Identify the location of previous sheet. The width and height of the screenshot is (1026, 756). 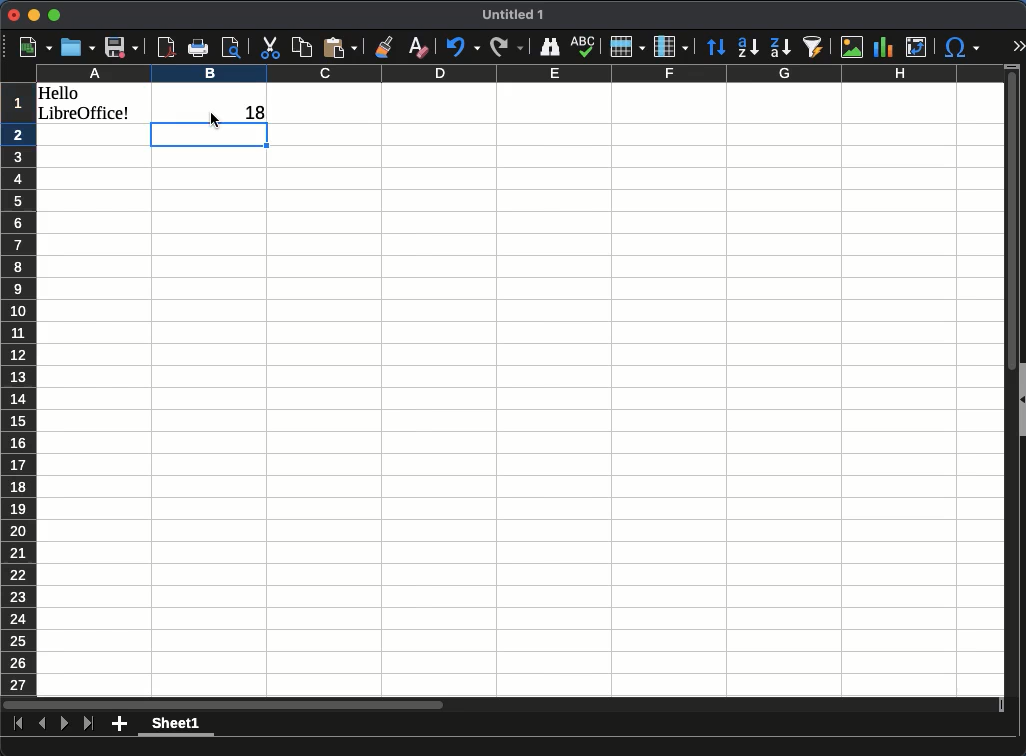
(42, 720).